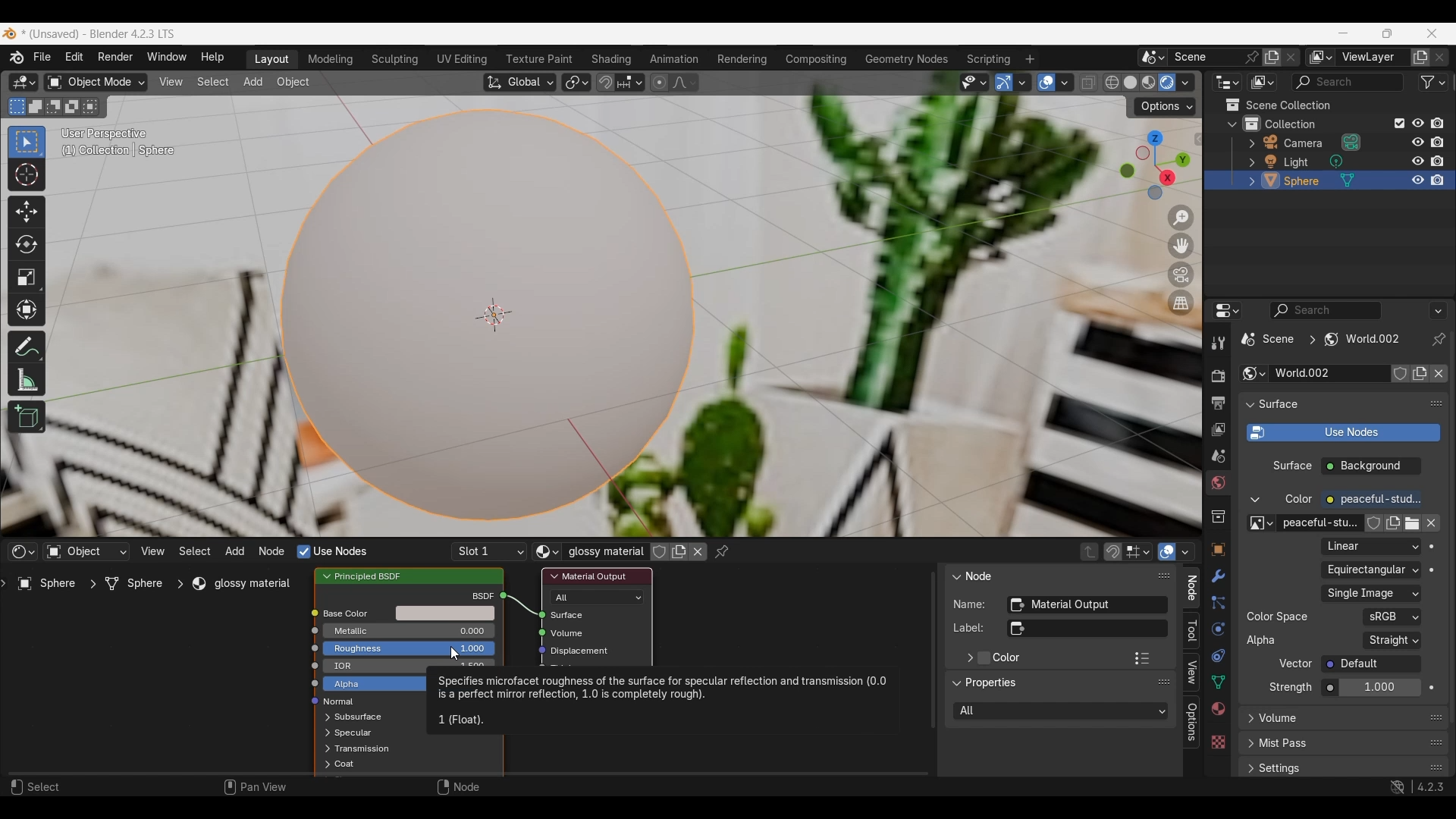  Describe the element at coordinates (339, 702) in the screenshot. I see `normal` at that location.